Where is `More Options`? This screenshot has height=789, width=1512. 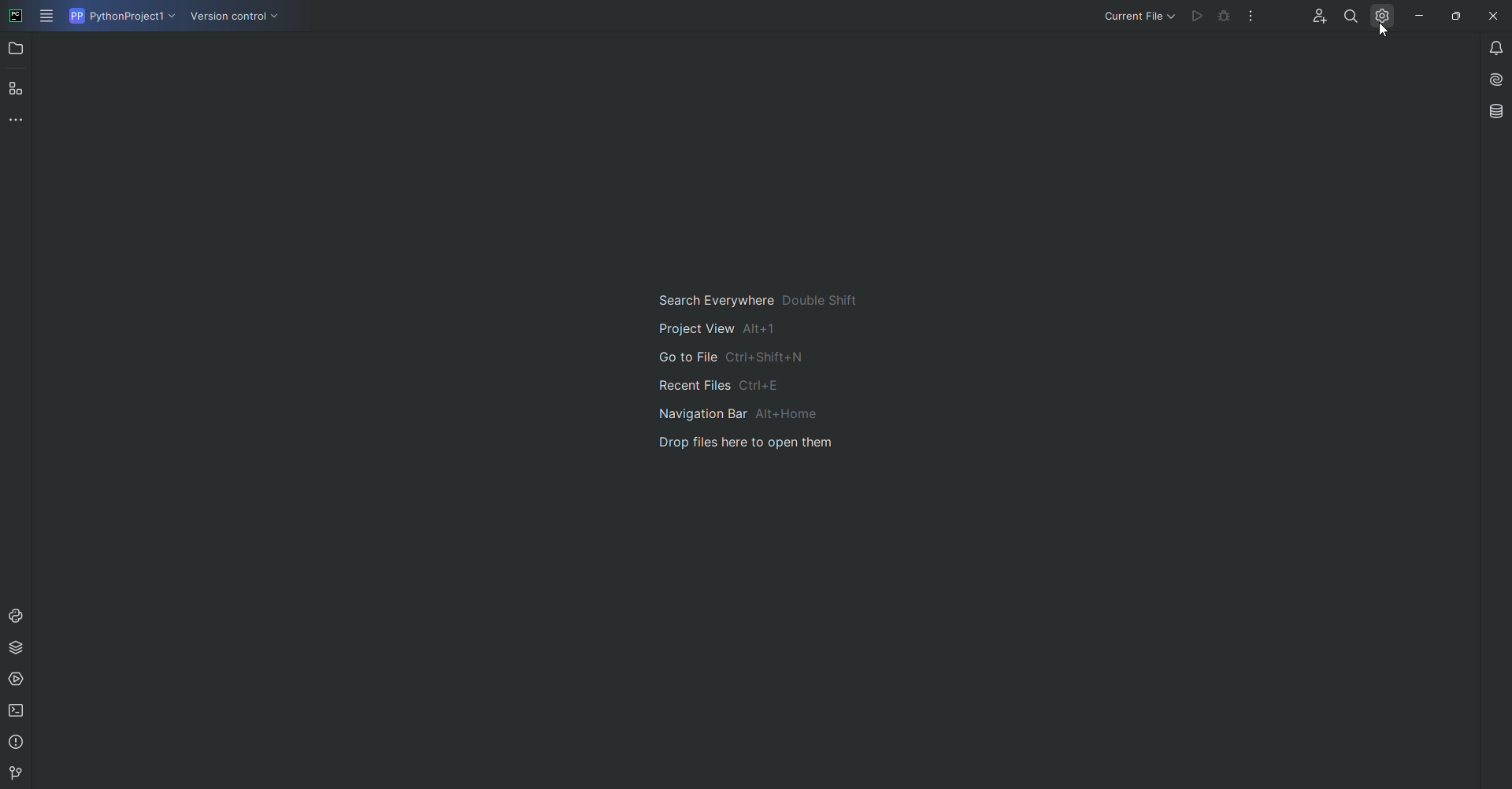 More Options is located at coordinates (1254, 20).